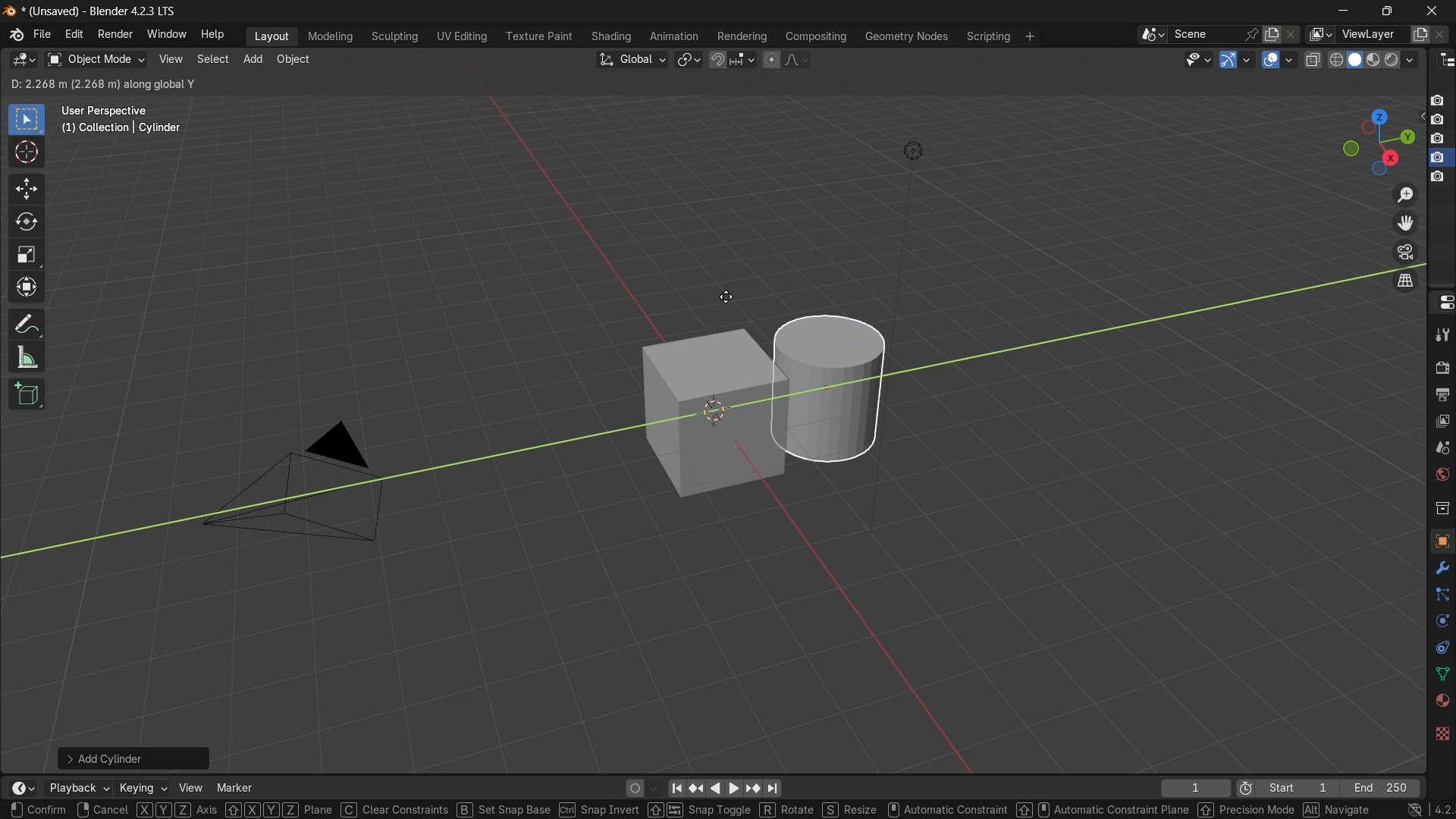  I want to click on rendering menu, so click(742, 37).